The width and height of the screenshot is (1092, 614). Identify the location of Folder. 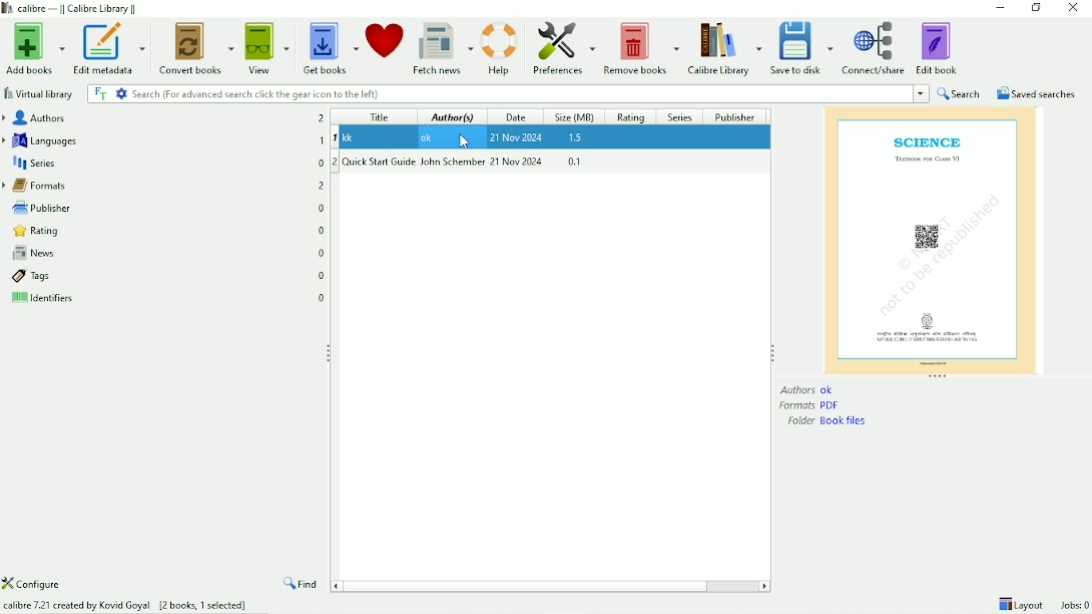
(829, 421).